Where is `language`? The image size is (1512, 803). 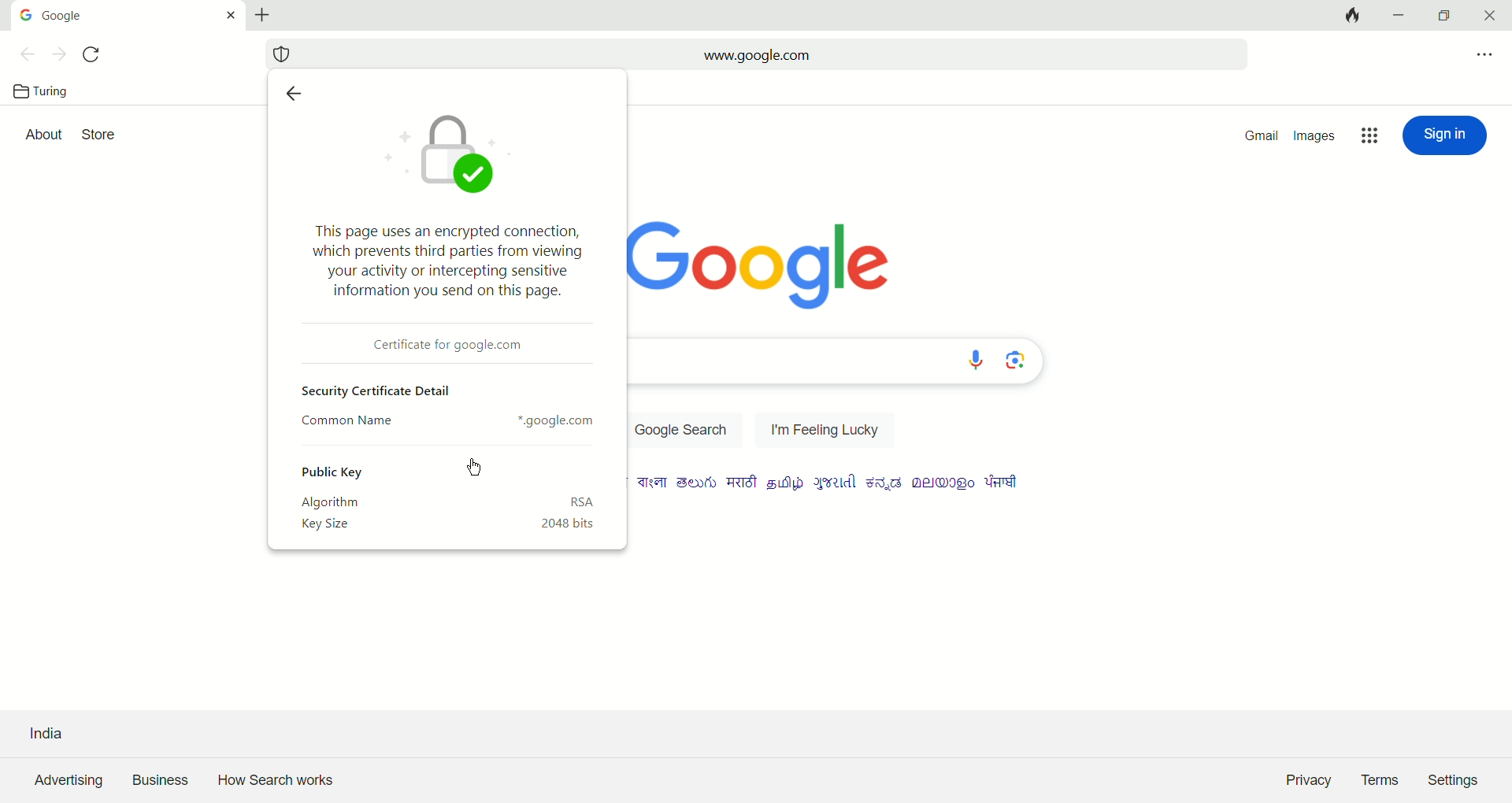
language is located at coordinates (785, 484).